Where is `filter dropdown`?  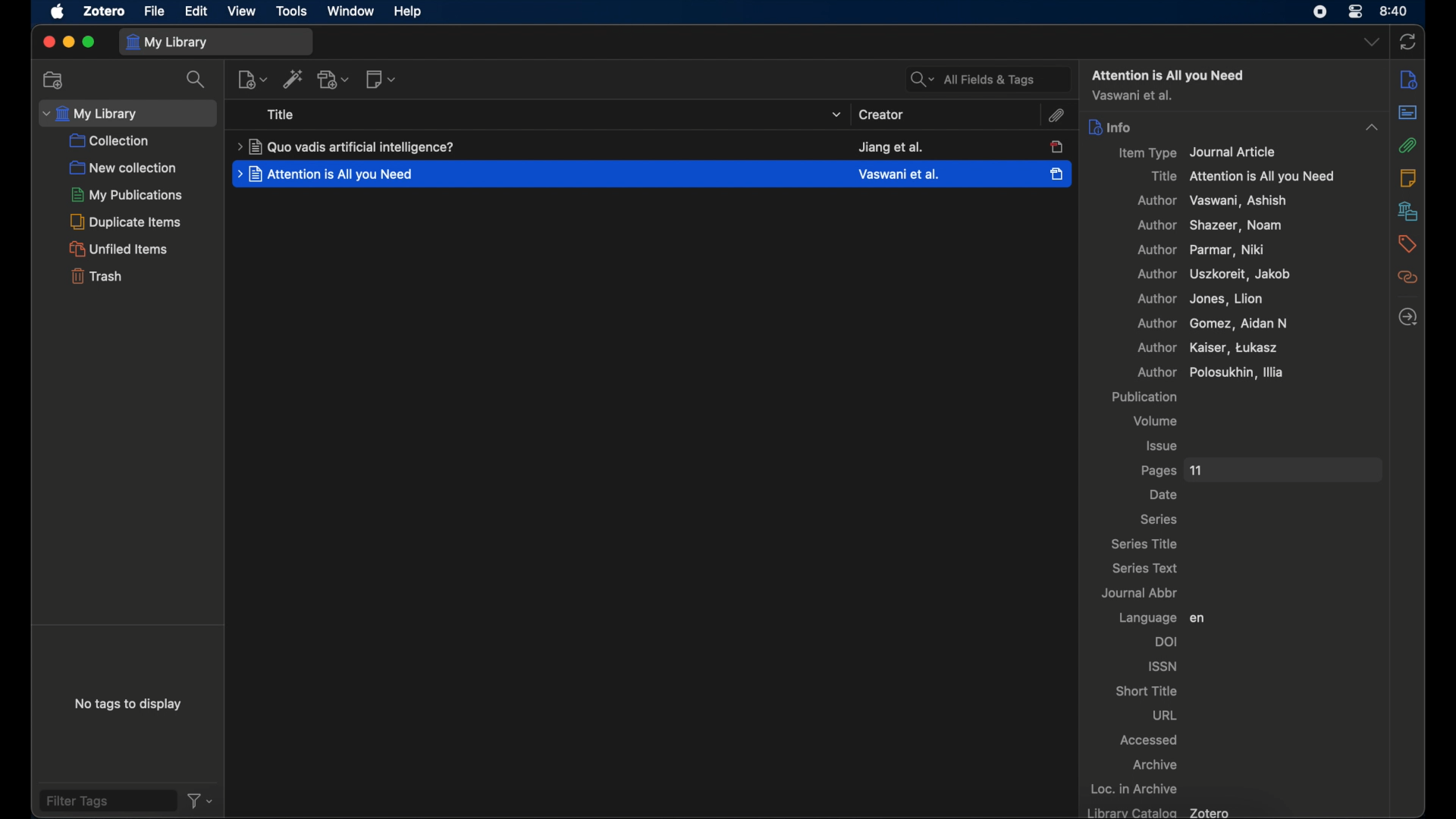
filter dropdown is located at coordinates (202, 801).